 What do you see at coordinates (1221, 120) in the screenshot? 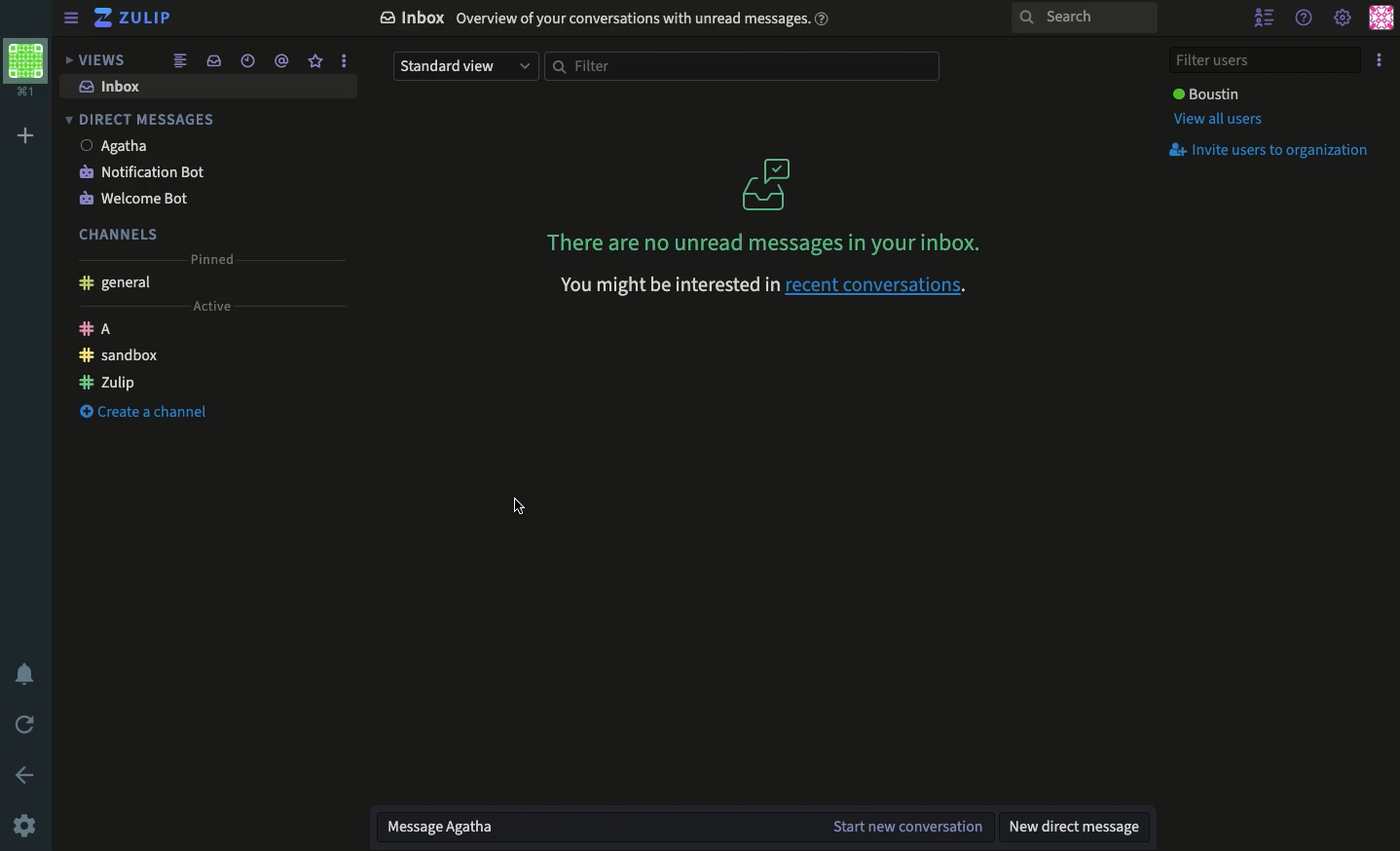
I see `View all users` at bounding box center [1221, 120].